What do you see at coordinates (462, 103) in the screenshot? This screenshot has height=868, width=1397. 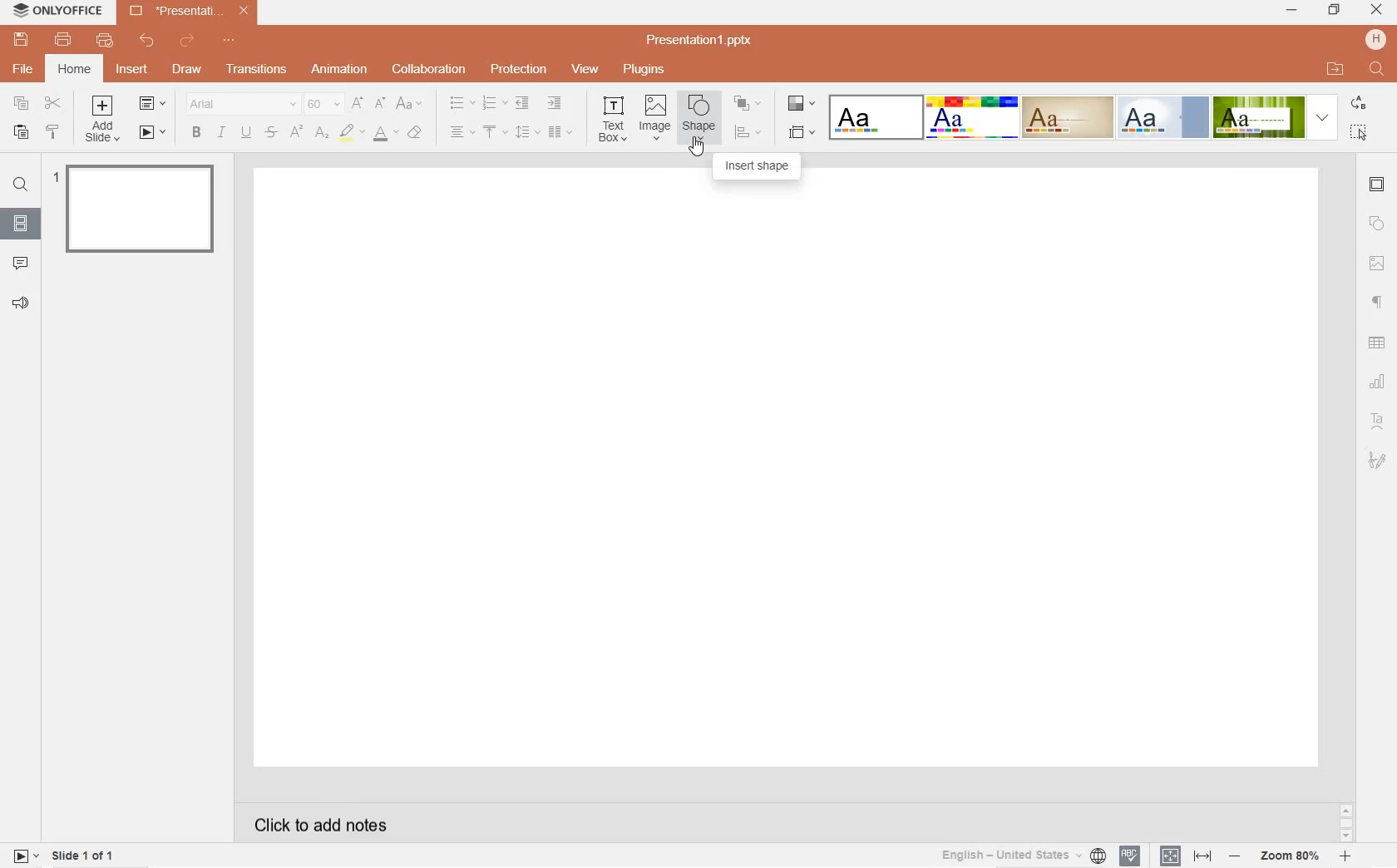 I see `bullet` at bounding box center [462, 103].